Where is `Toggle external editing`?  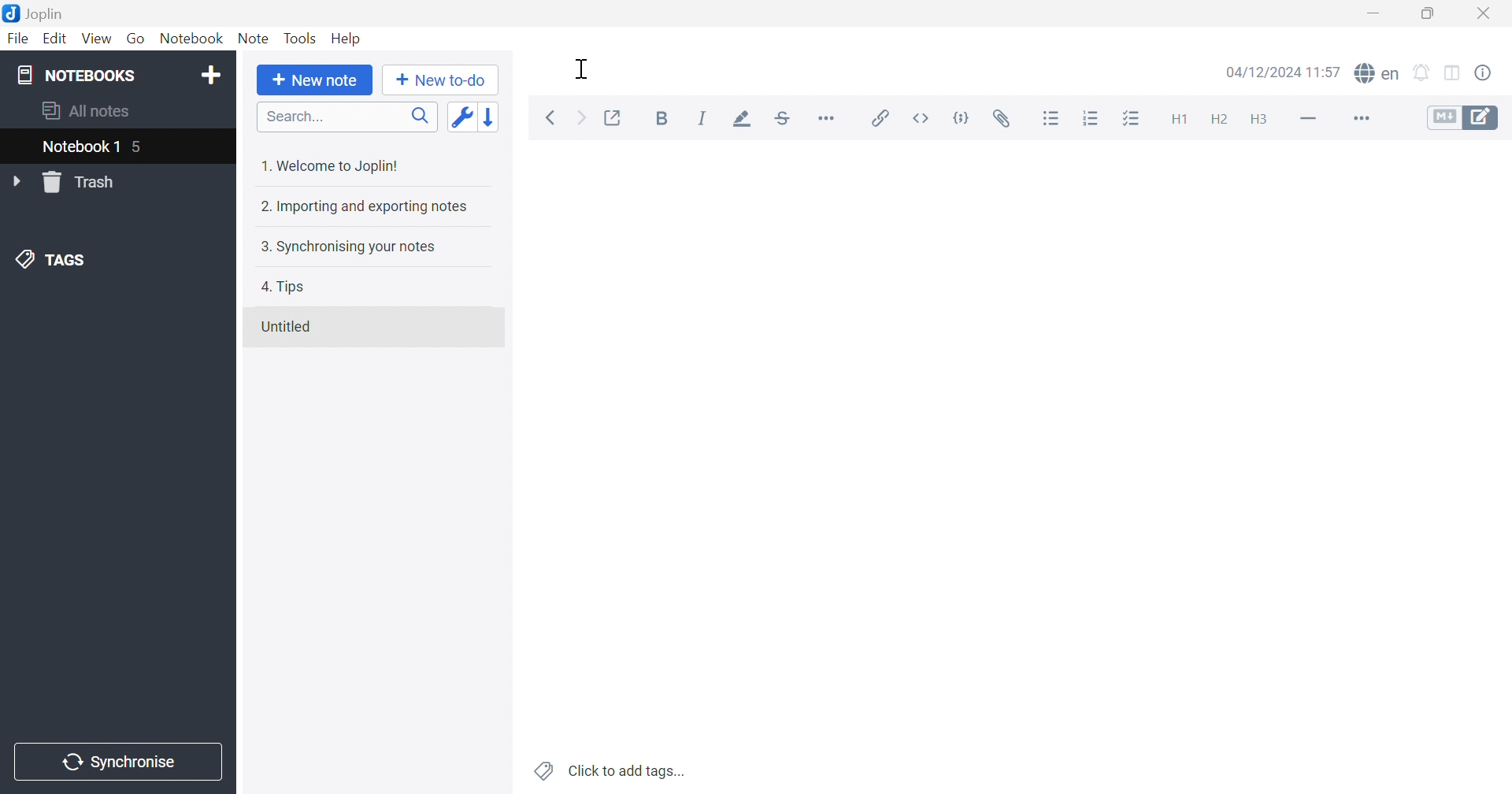 Toggle external editing is located at coordinates (616, 117).